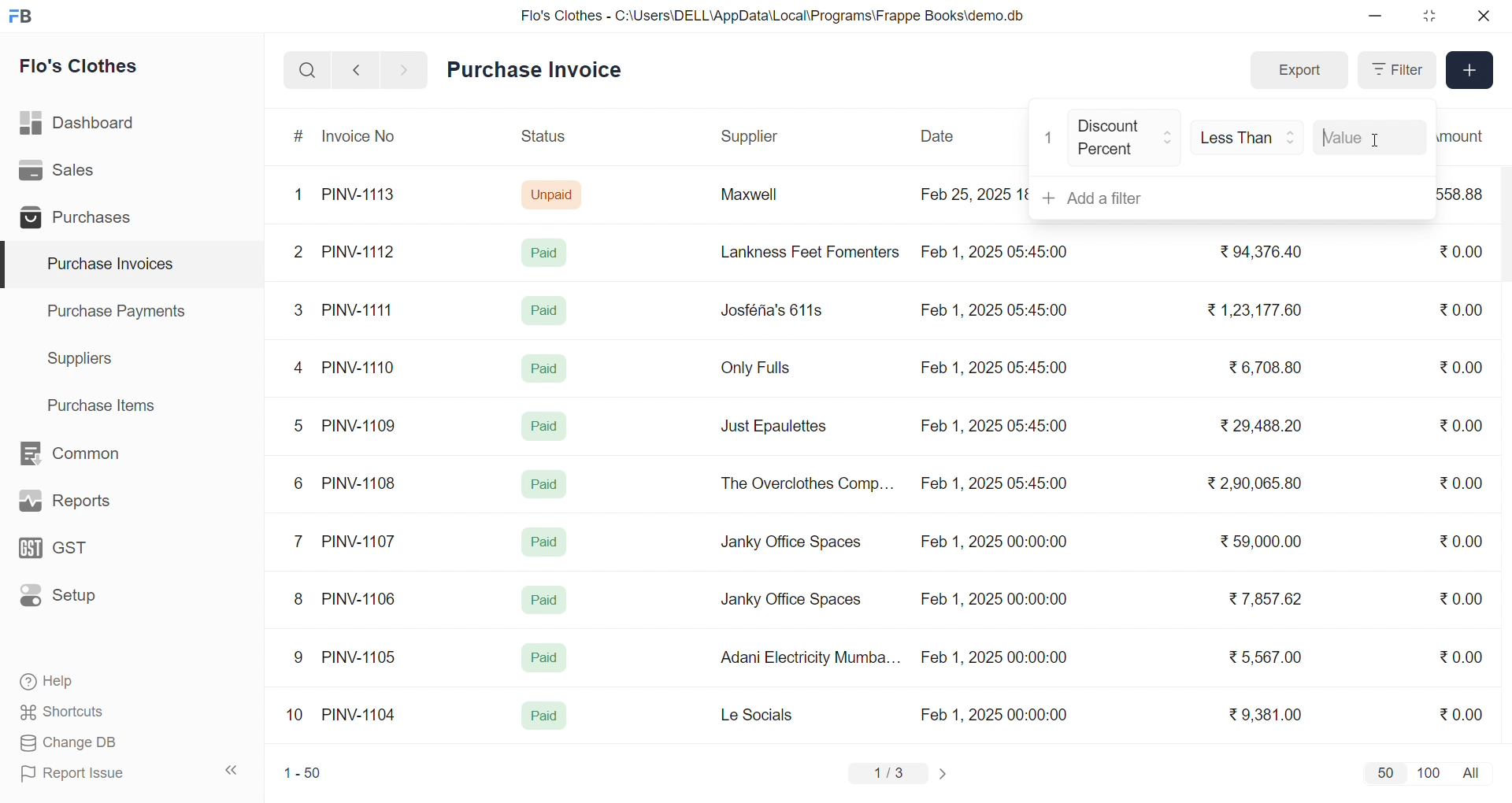 The height and width of the screenshot is (803, 1512). I want to click on ₹0.00, so click(1466, 539).